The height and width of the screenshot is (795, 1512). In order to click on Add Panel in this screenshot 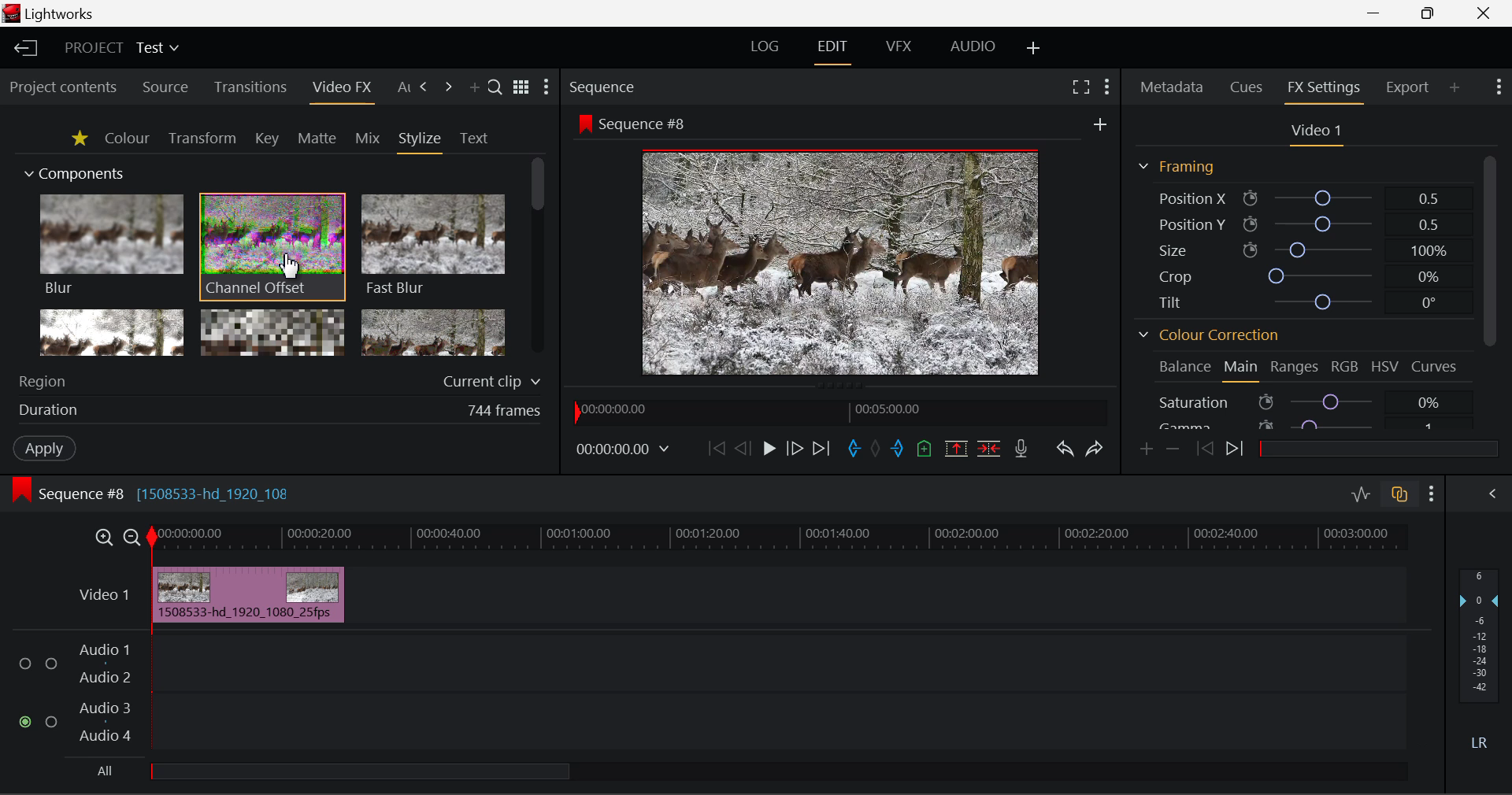, I will do `click(1454, 88)`.